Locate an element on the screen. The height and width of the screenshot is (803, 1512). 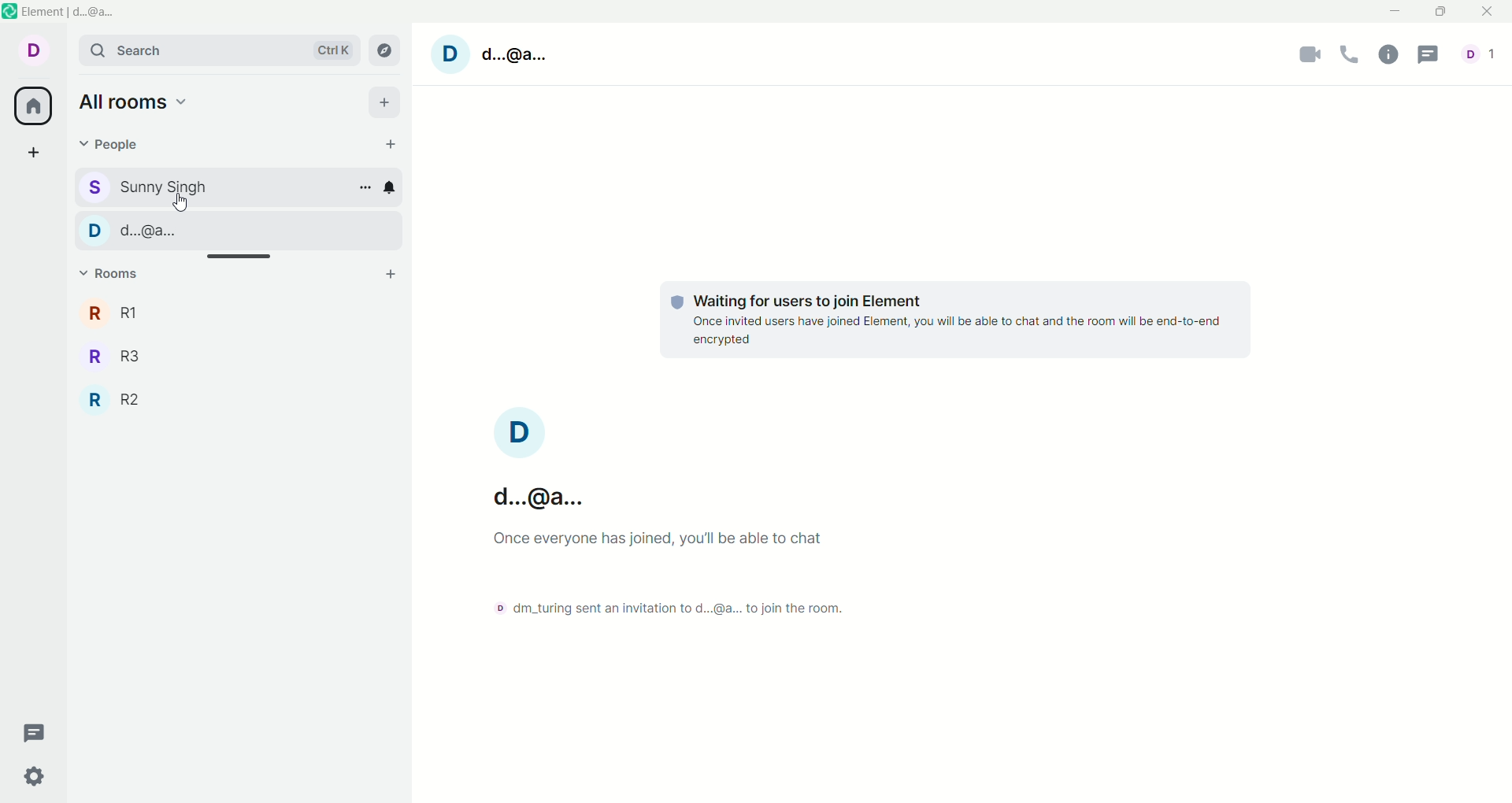
room info is located at coordinates (1392, 54).